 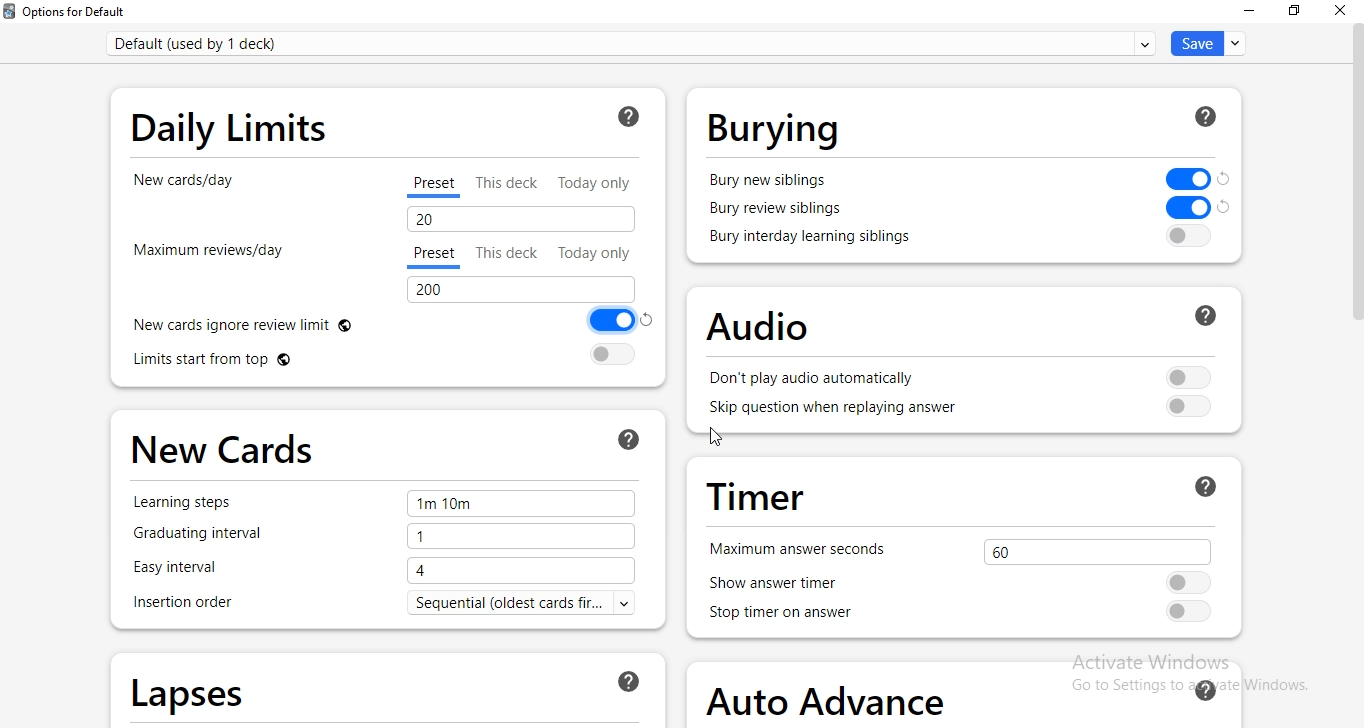 I want to click on graduating interval, so click(x=212, y=539).